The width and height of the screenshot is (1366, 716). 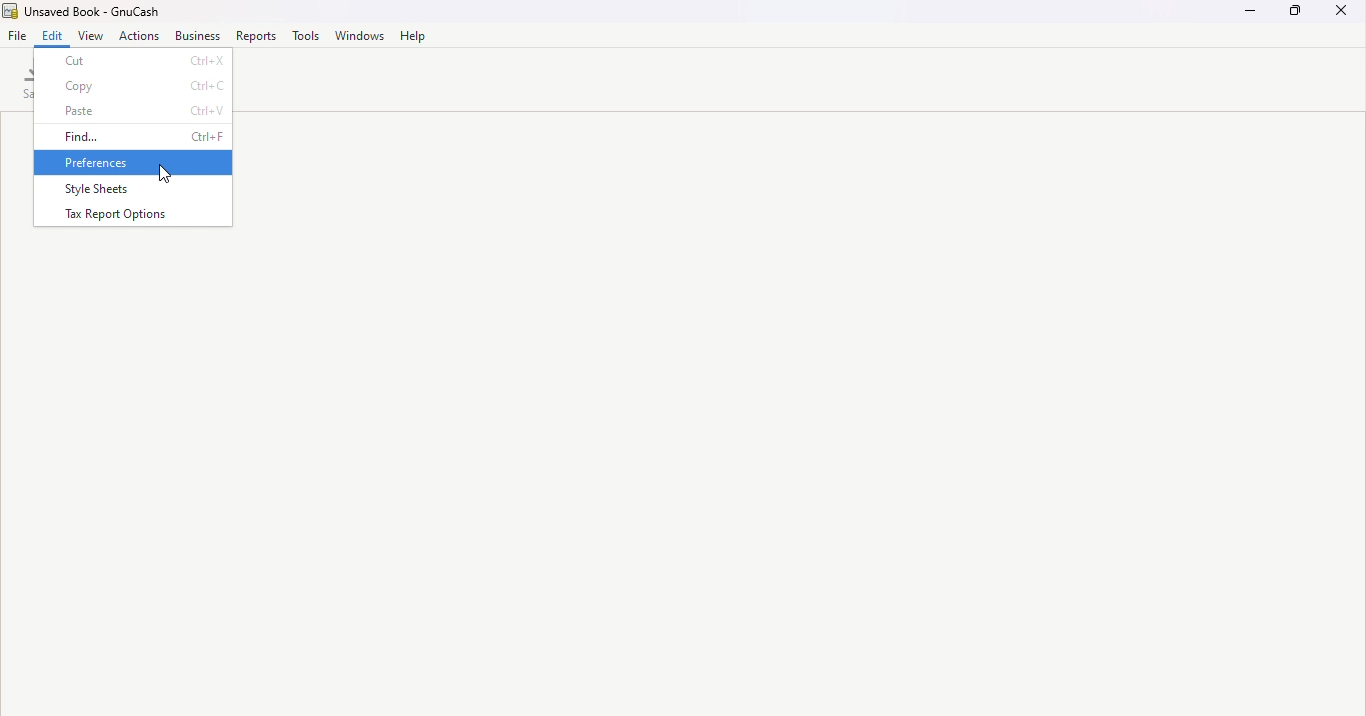 I want to click on Business, so click(x=198, y=35).